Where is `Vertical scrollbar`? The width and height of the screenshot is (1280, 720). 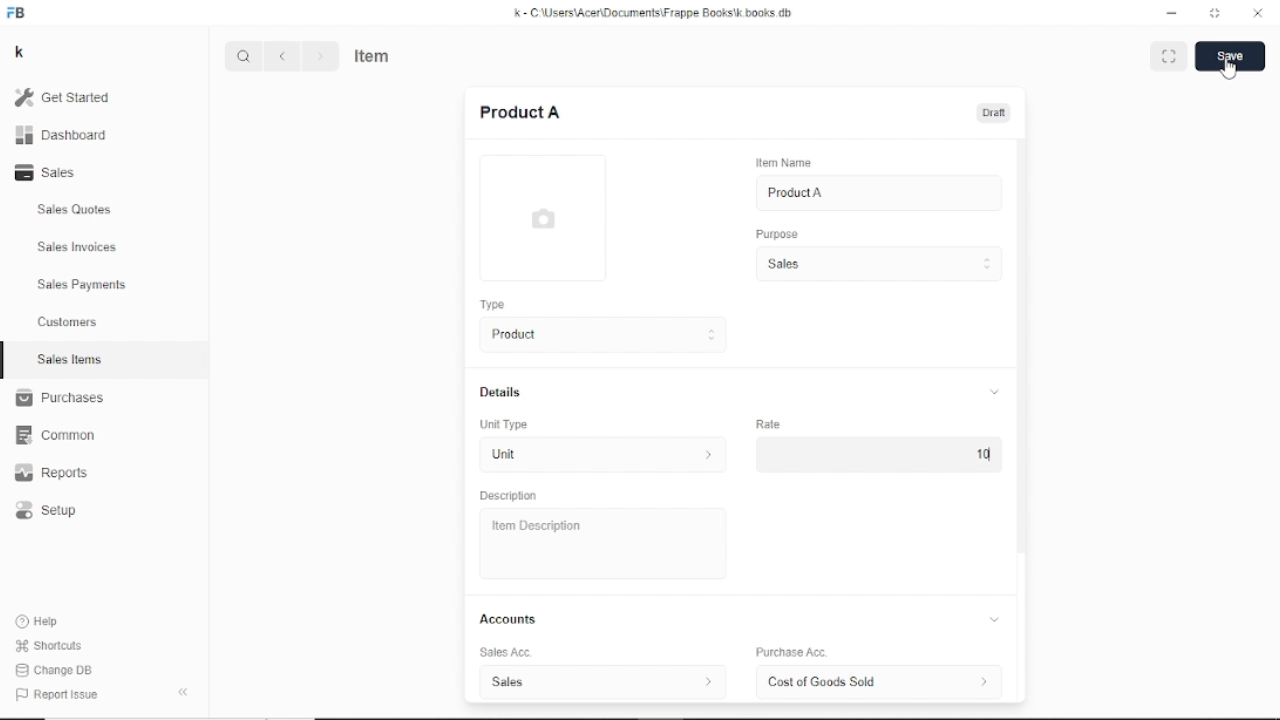 Vertical scrollbar is located at coordinates (1023, 345).